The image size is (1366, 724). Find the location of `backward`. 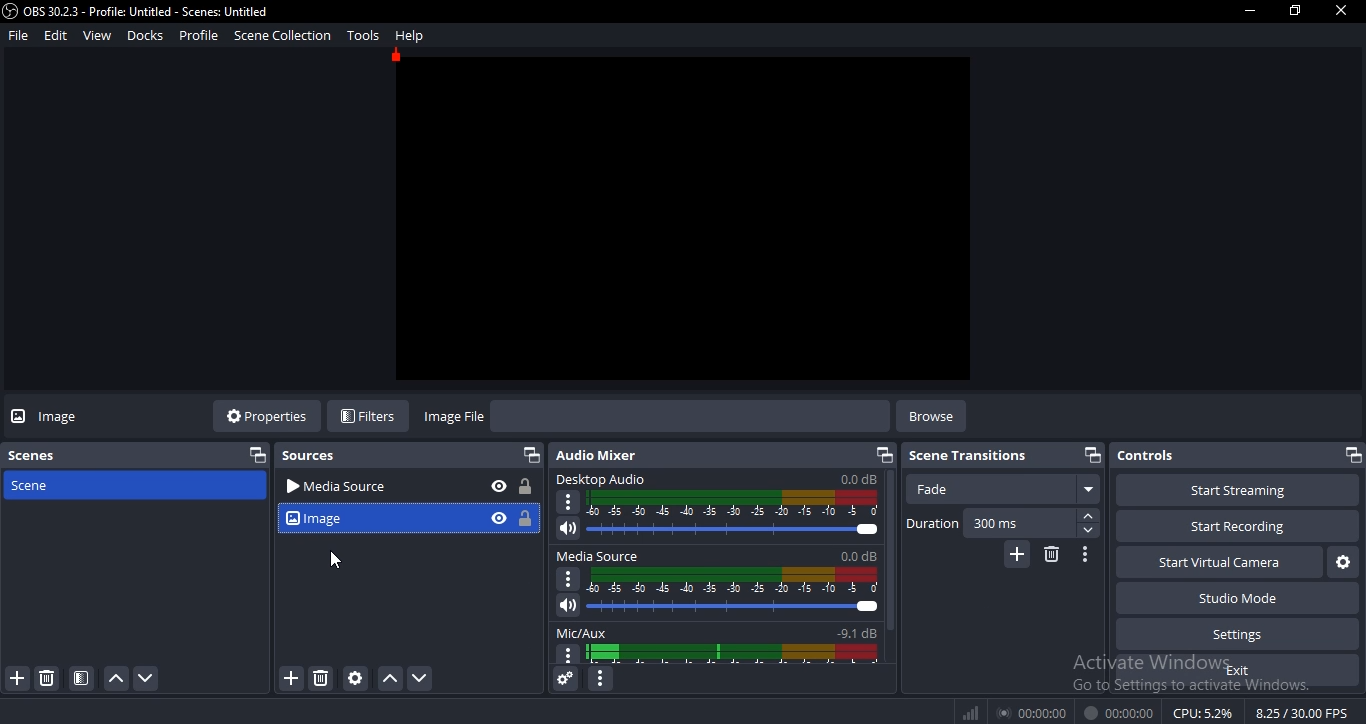

backward is located at coordinates (1088, 532).